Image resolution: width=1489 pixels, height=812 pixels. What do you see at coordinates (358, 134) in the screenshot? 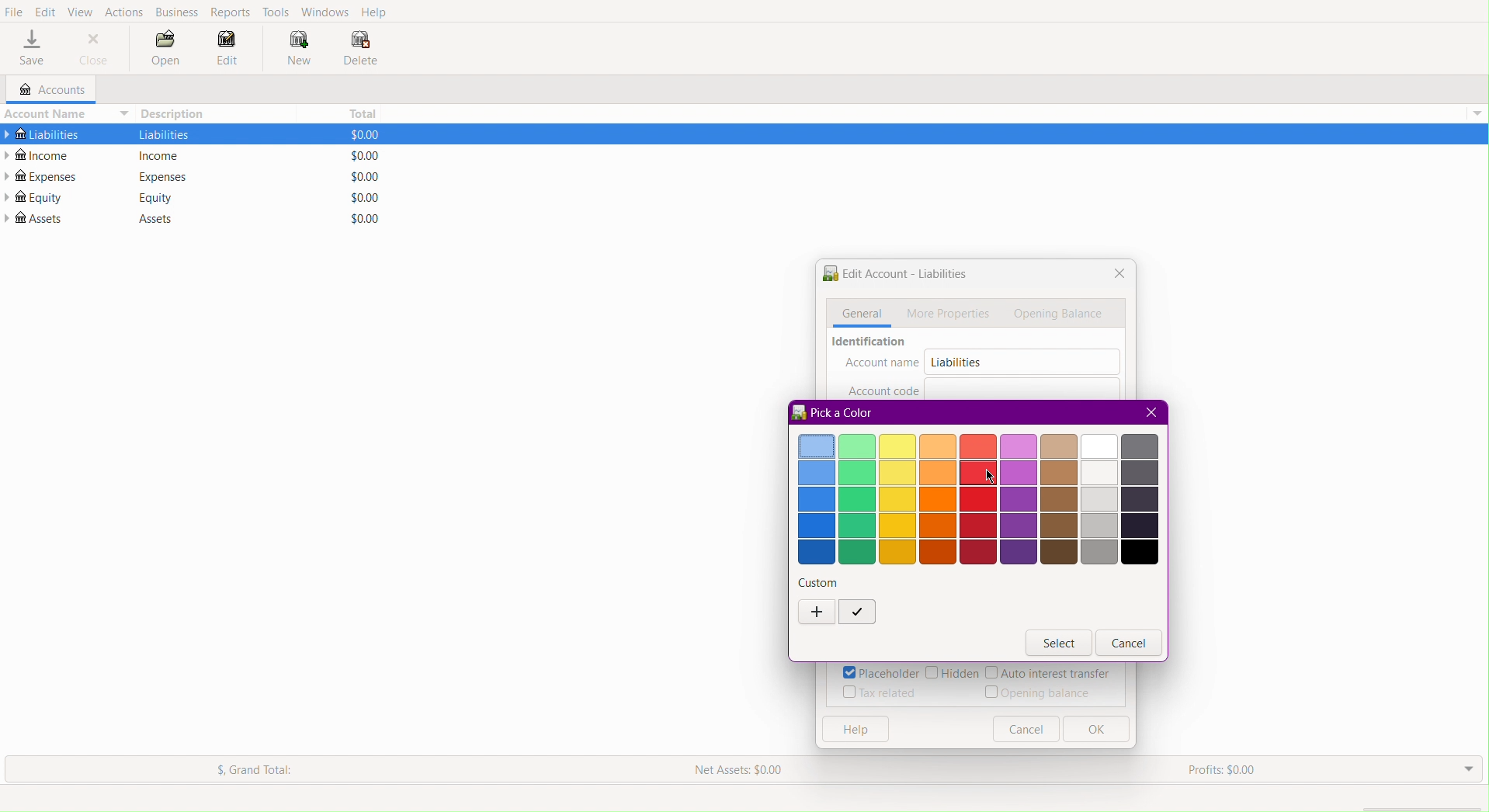
I see `$0.00` at bounding box center [358, 134].